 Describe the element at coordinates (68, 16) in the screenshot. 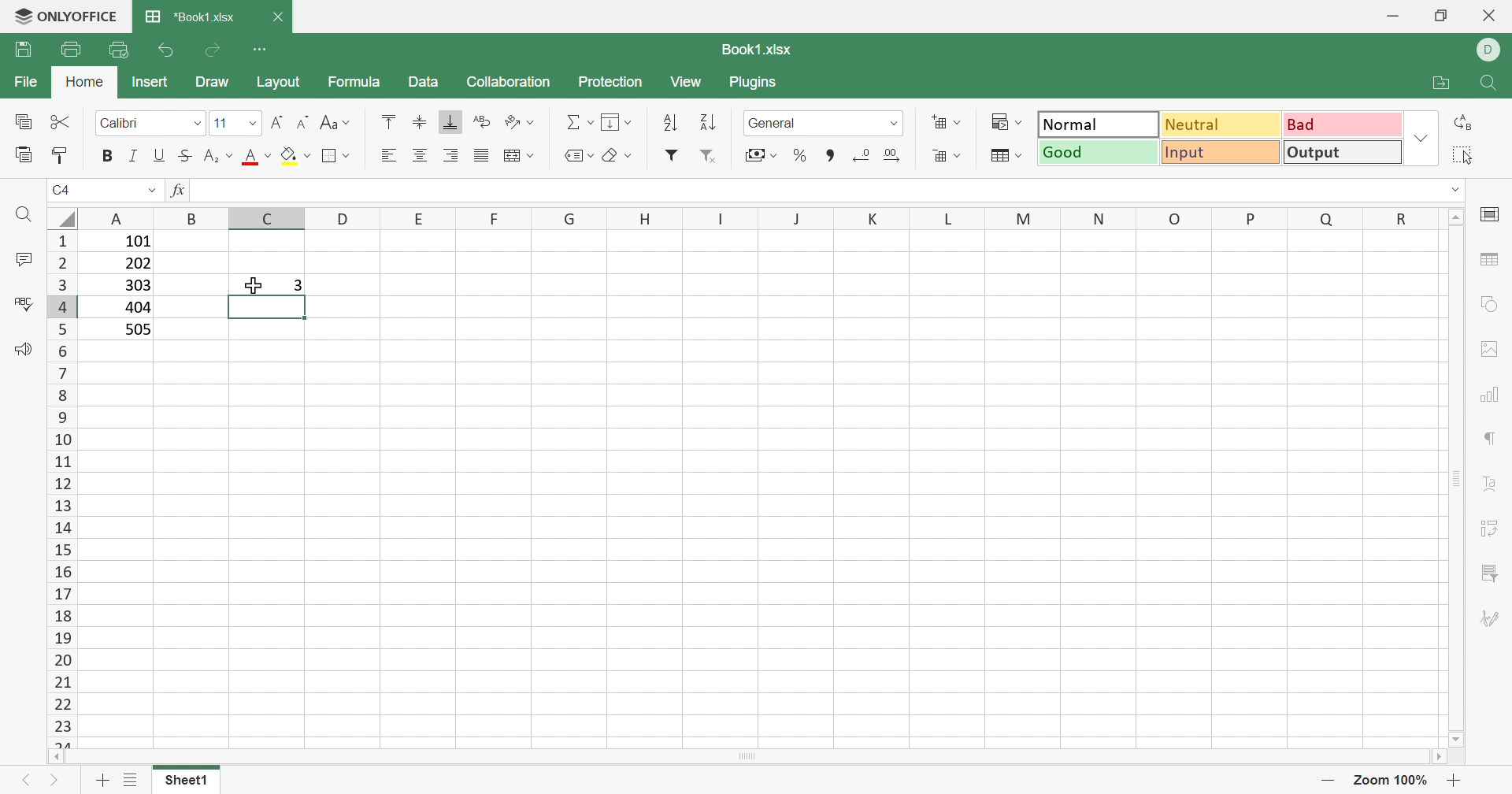

I see `ONLYOFFICE` at that location.